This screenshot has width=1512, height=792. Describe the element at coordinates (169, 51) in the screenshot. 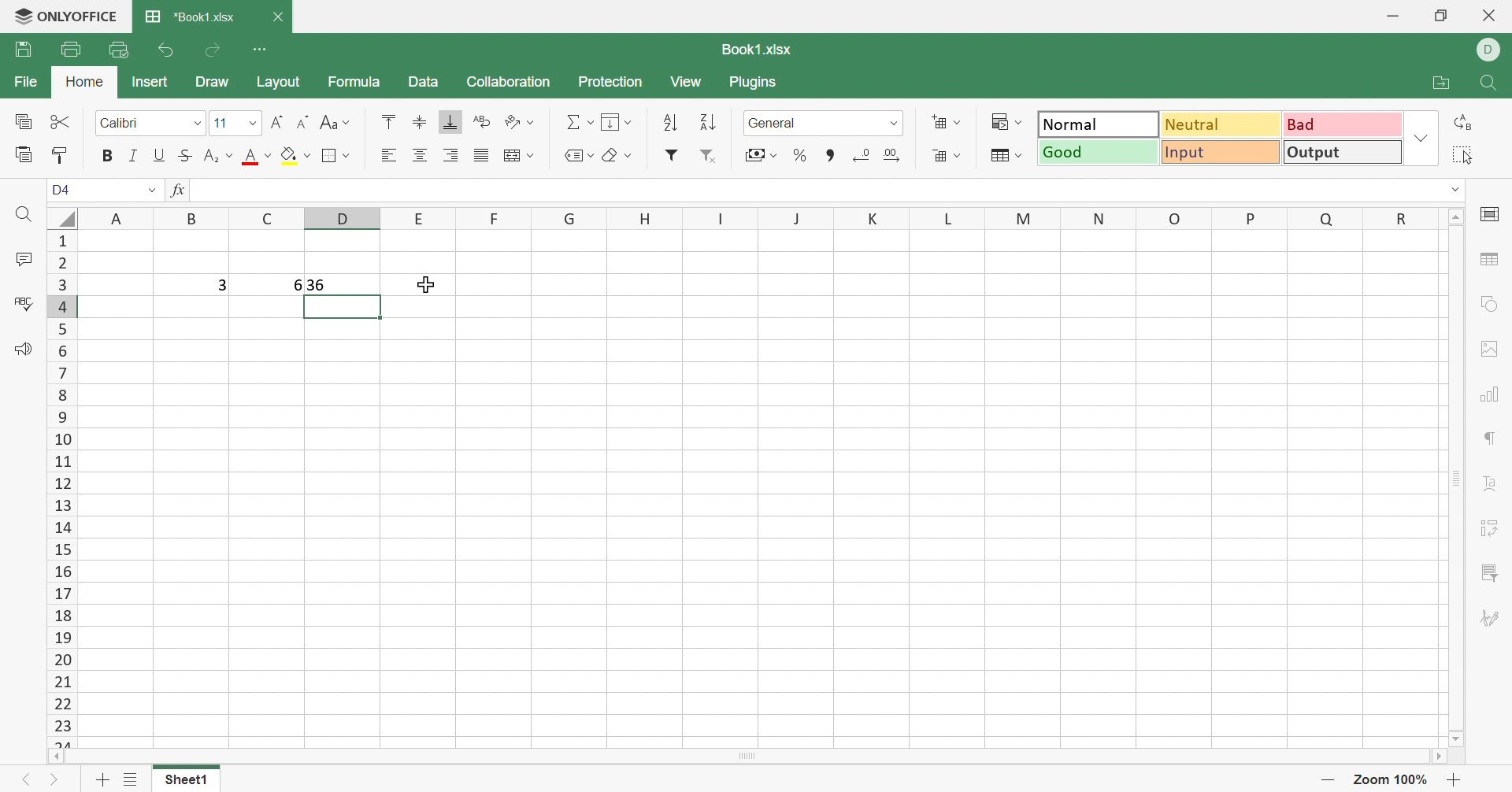

I see `Undo` at that location.